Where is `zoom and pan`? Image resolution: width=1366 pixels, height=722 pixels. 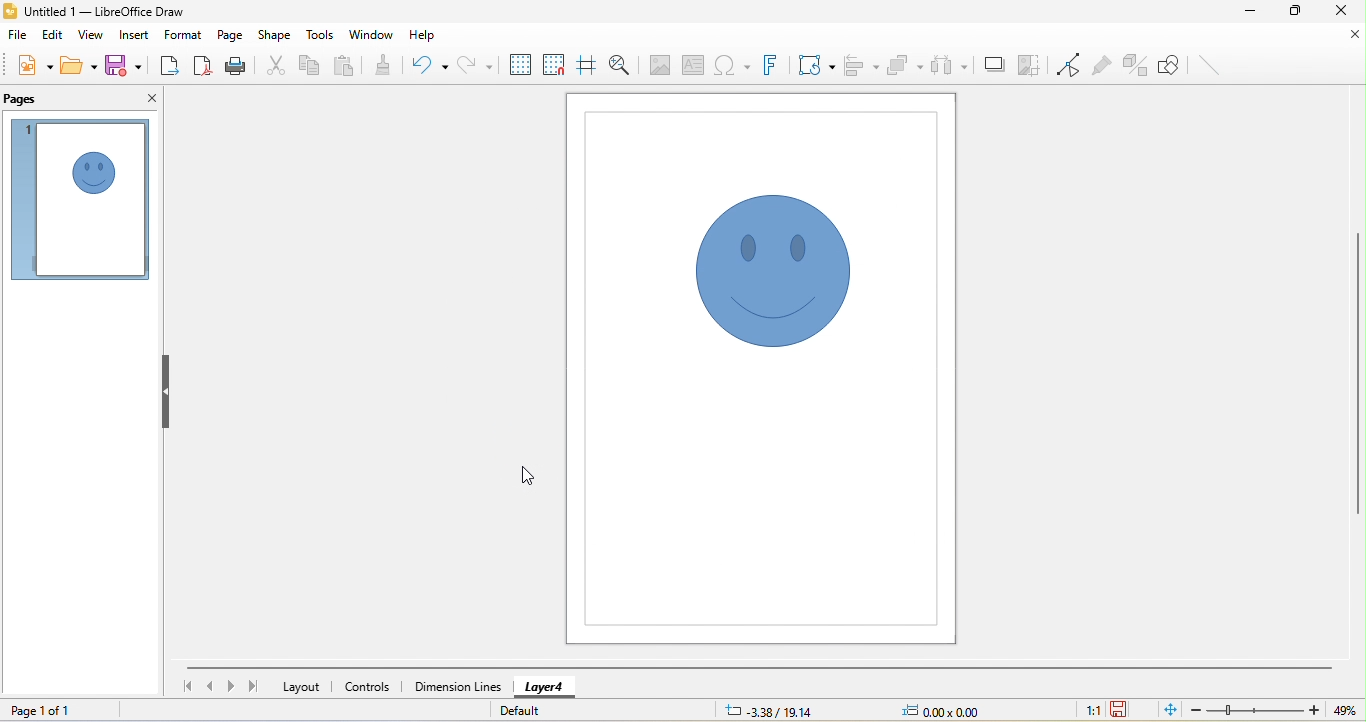
zoom and pan is located at coordinates (622, 64).